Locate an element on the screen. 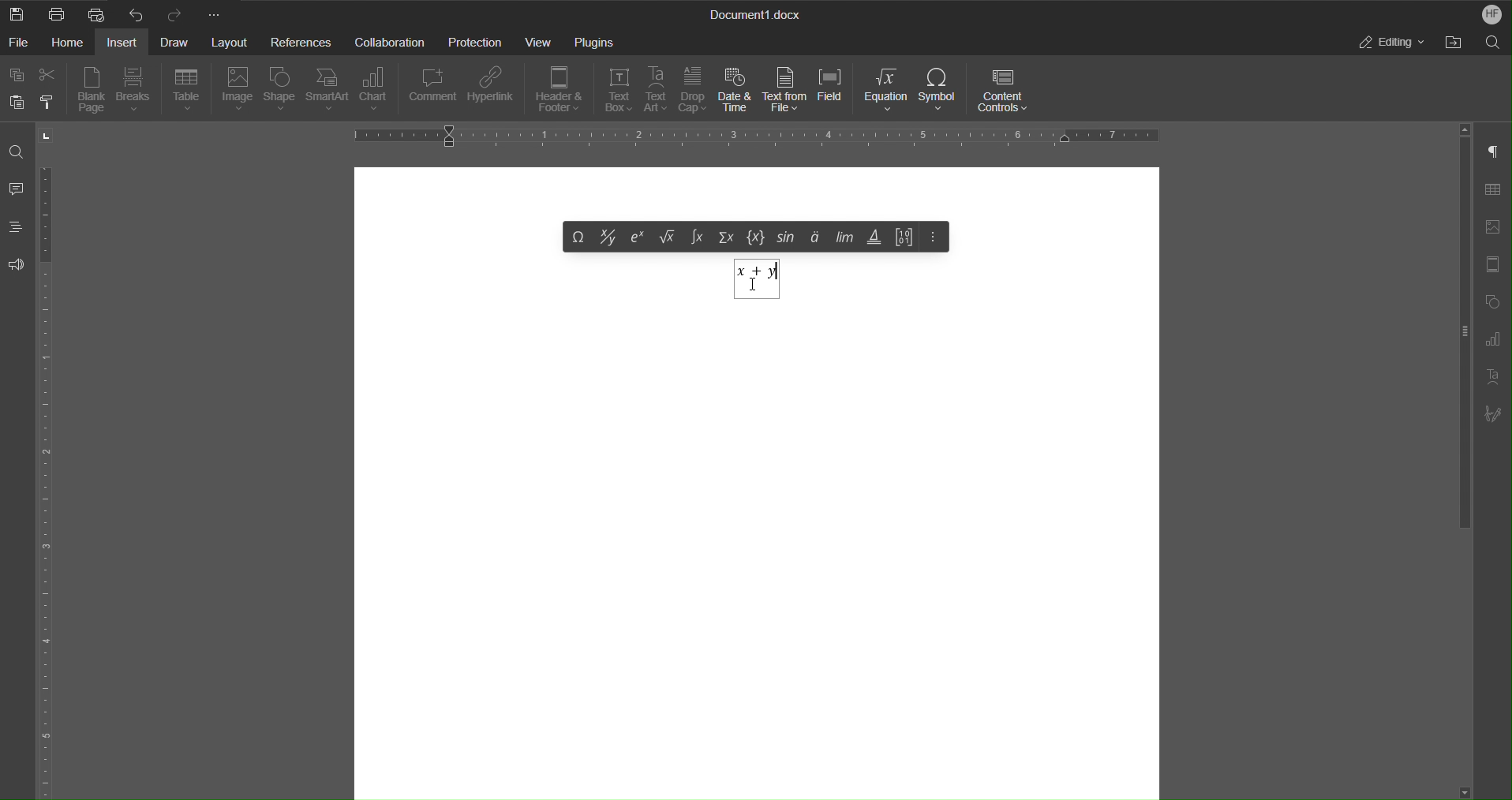 This screenshot has width=1512, height=800. Summation is located at coordinates (724, 237).